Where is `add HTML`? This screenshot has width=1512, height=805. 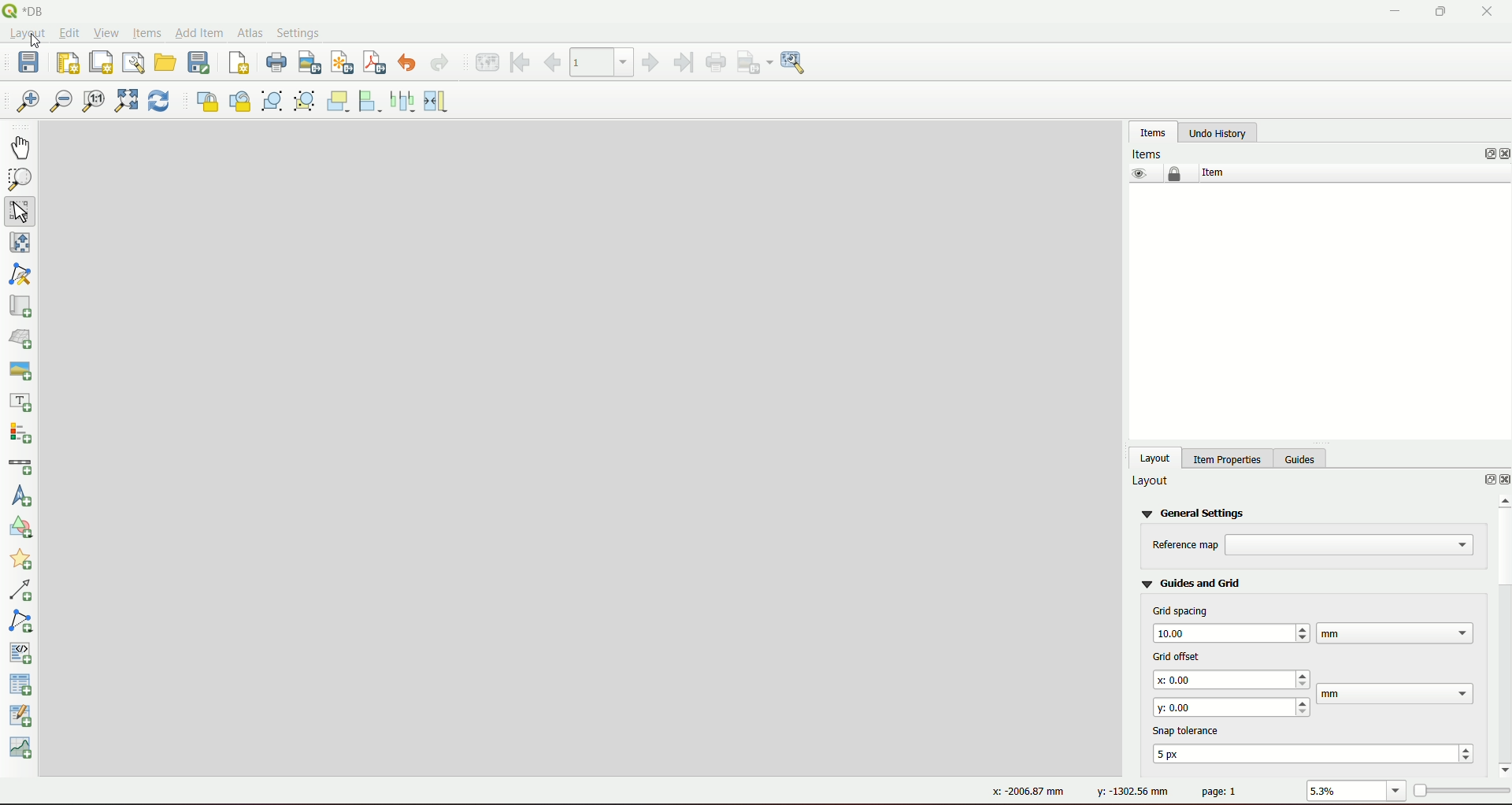 add HTML is located at coordinates (23, 651).